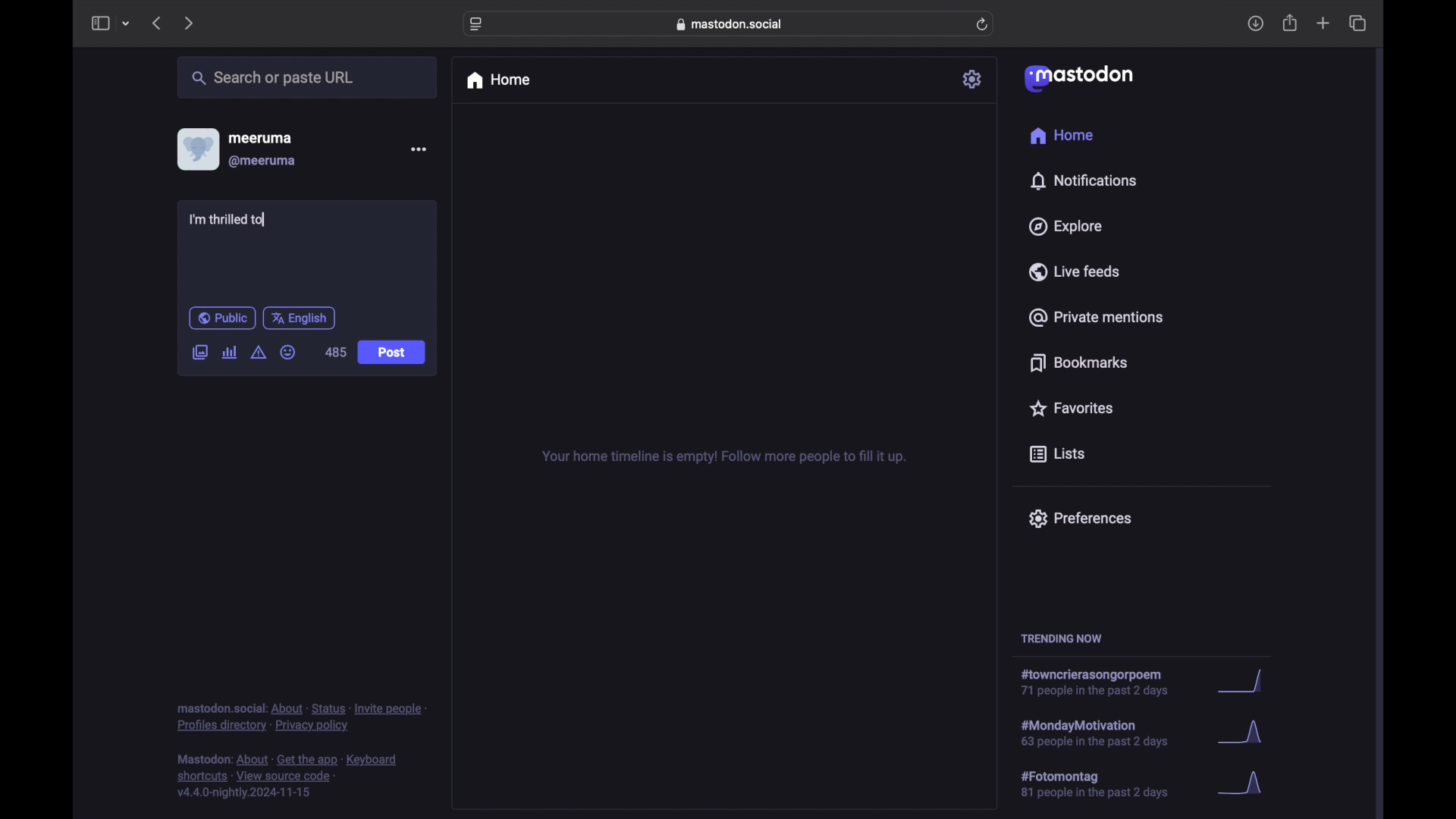  I want to click on display picture, so click(196, 149).